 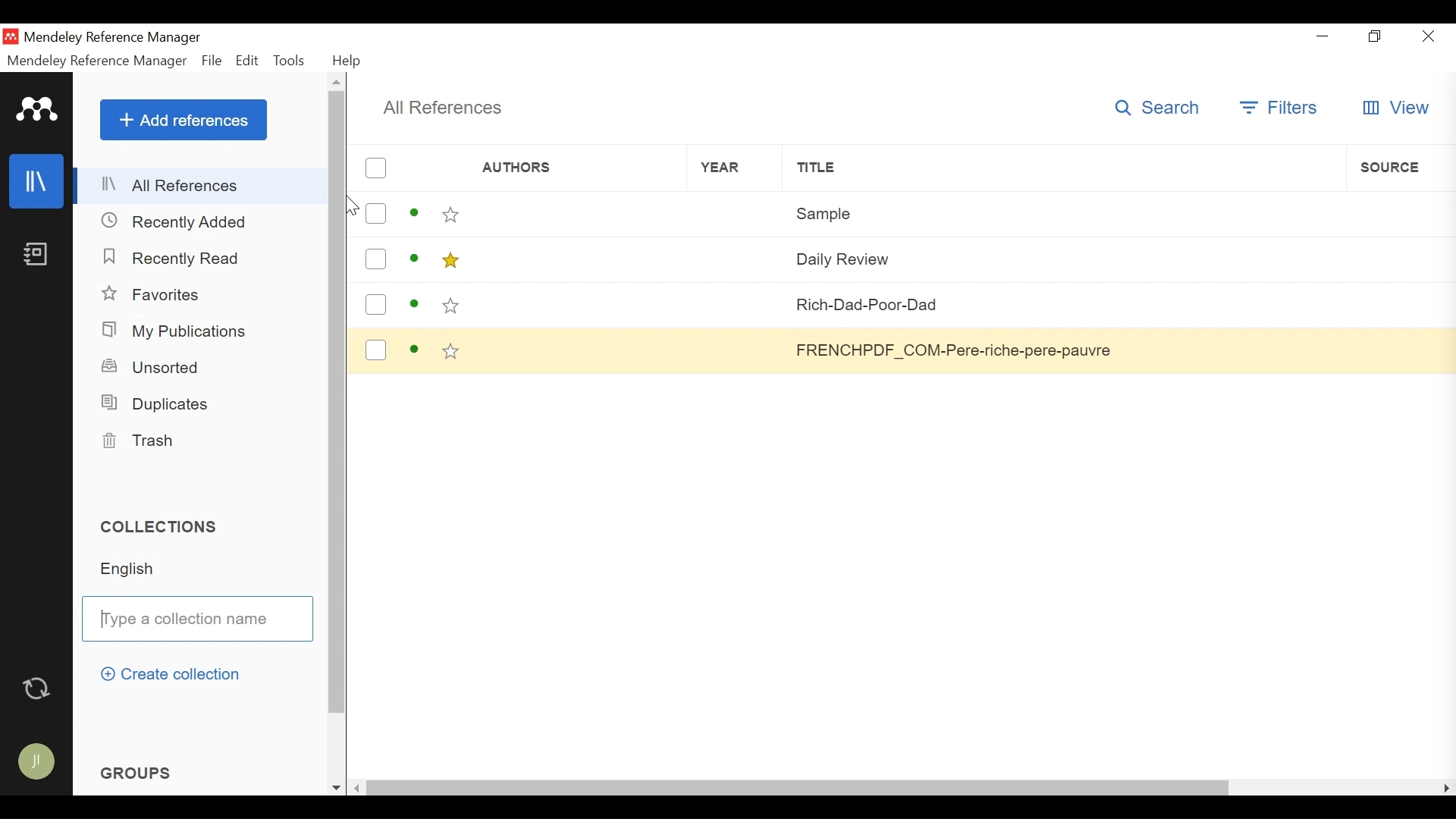 I want to click on Source, so click(x=1400, y=211).